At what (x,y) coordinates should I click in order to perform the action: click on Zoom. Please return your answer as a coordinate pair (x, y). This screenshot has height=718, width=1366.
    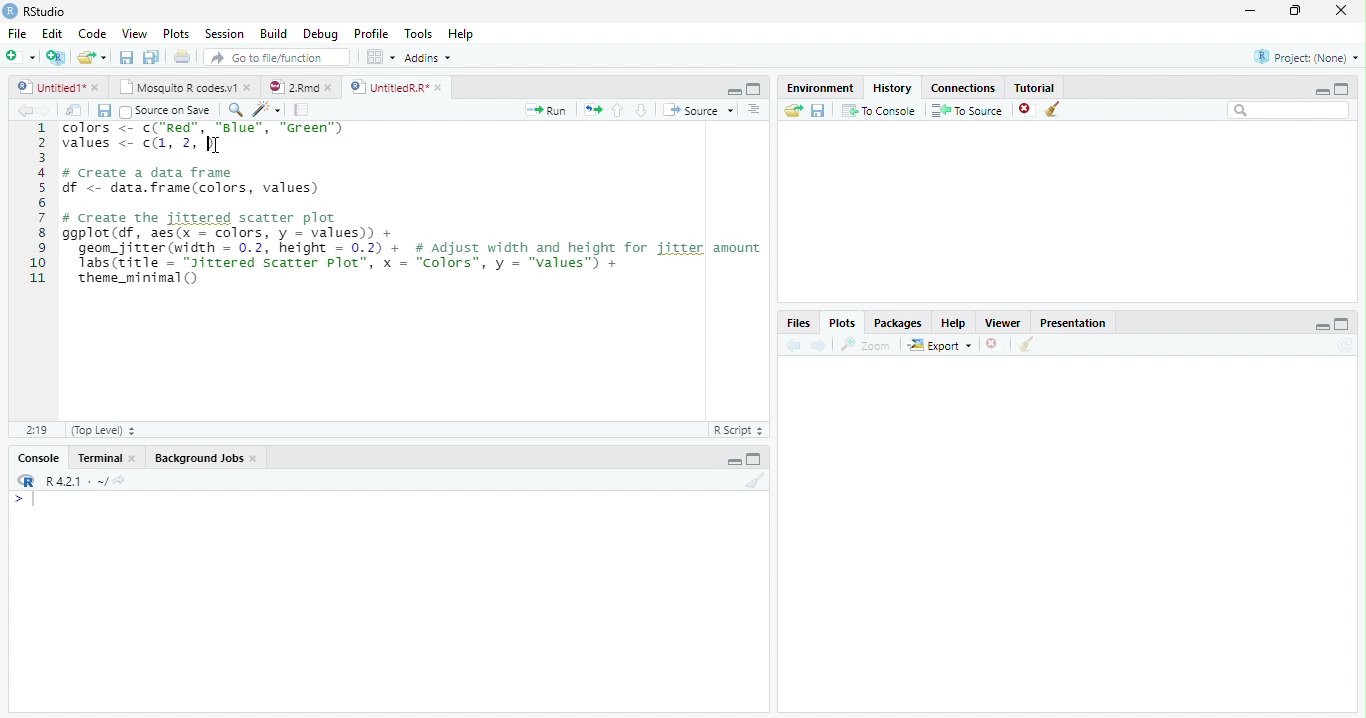
    Looking at the image, I should click on (866, 345).